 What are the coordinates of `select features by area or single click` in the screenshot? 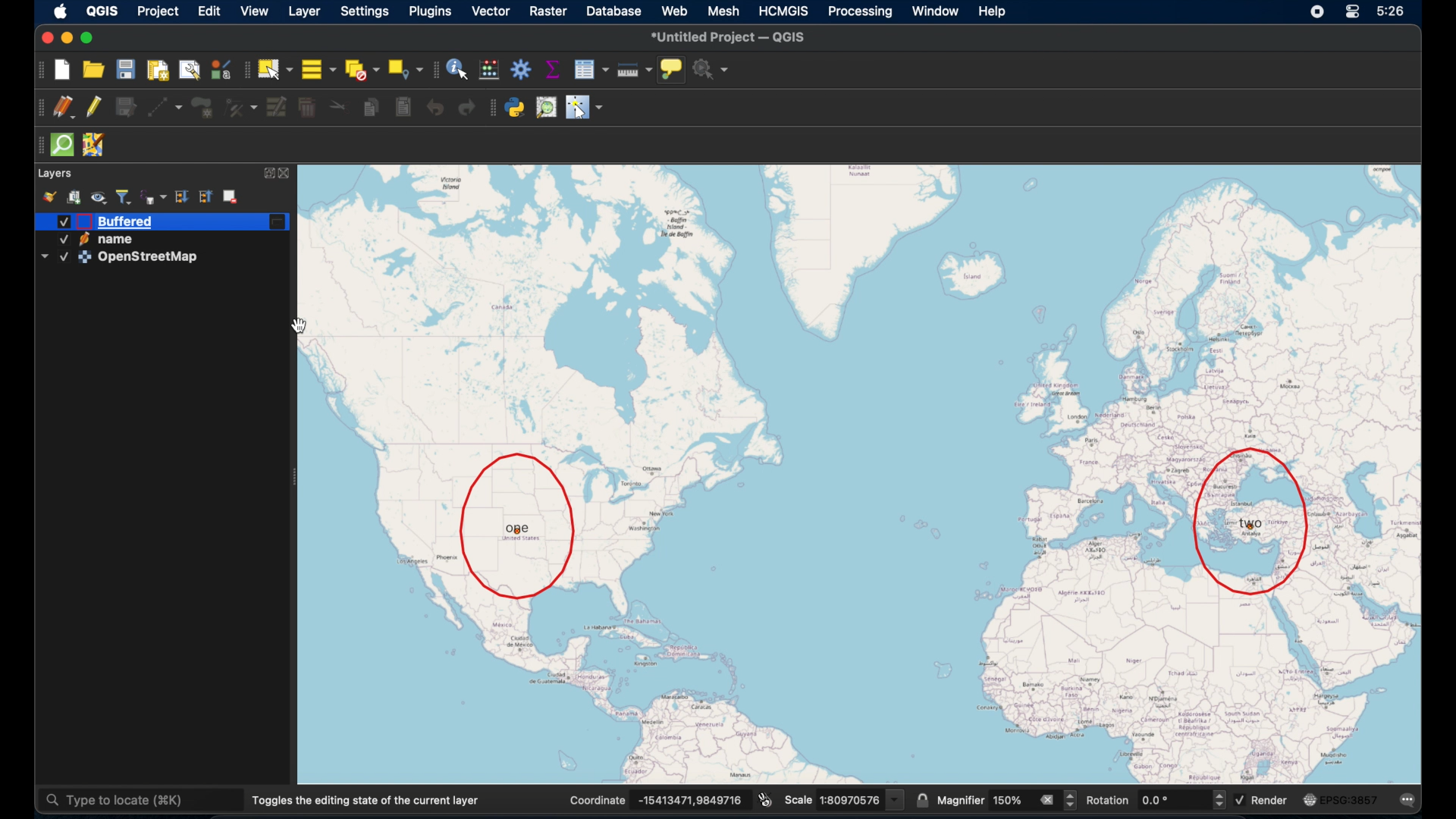 It's located at (275, 69).